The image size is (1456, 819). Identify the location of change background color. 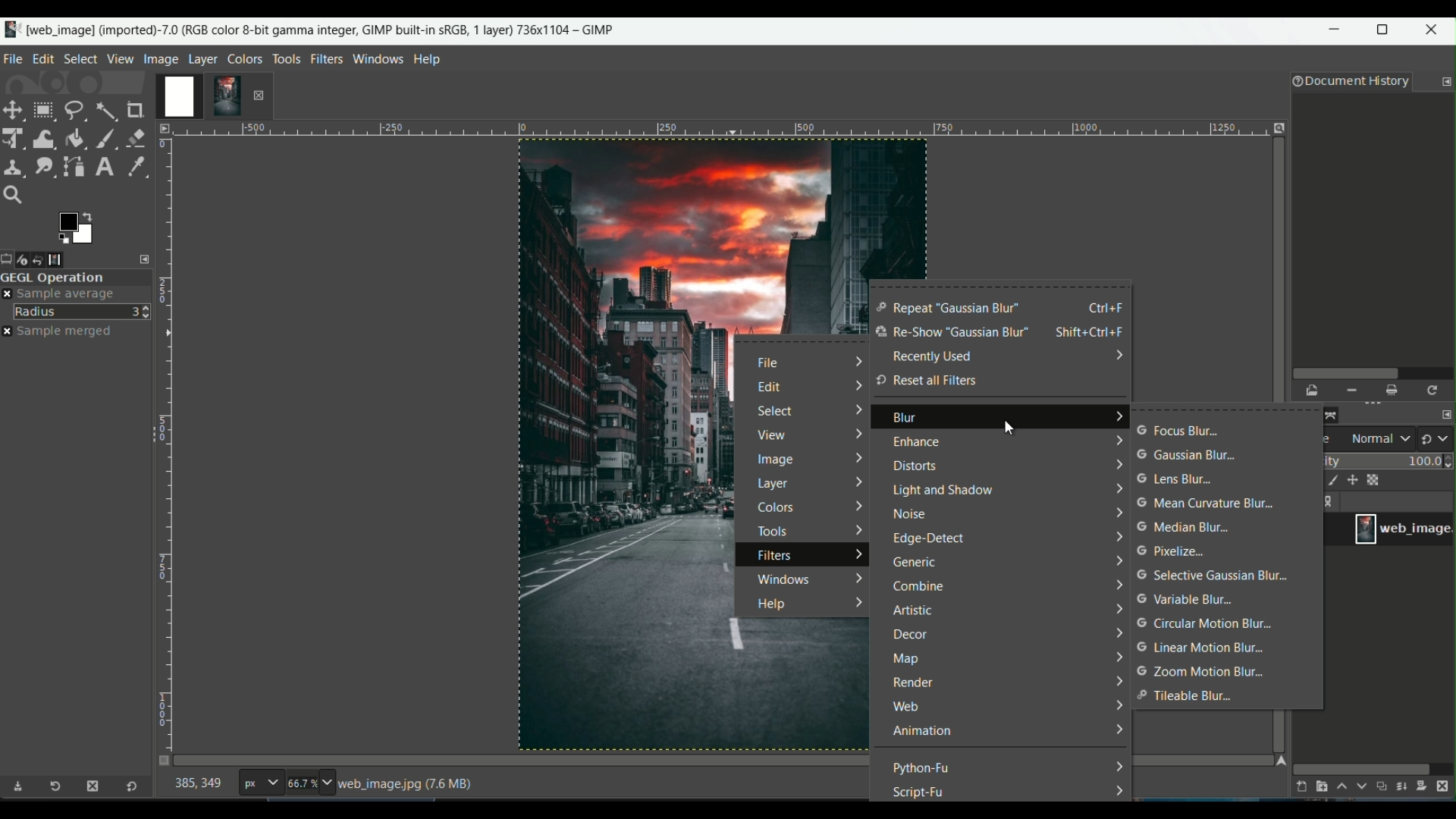
(75, 227).